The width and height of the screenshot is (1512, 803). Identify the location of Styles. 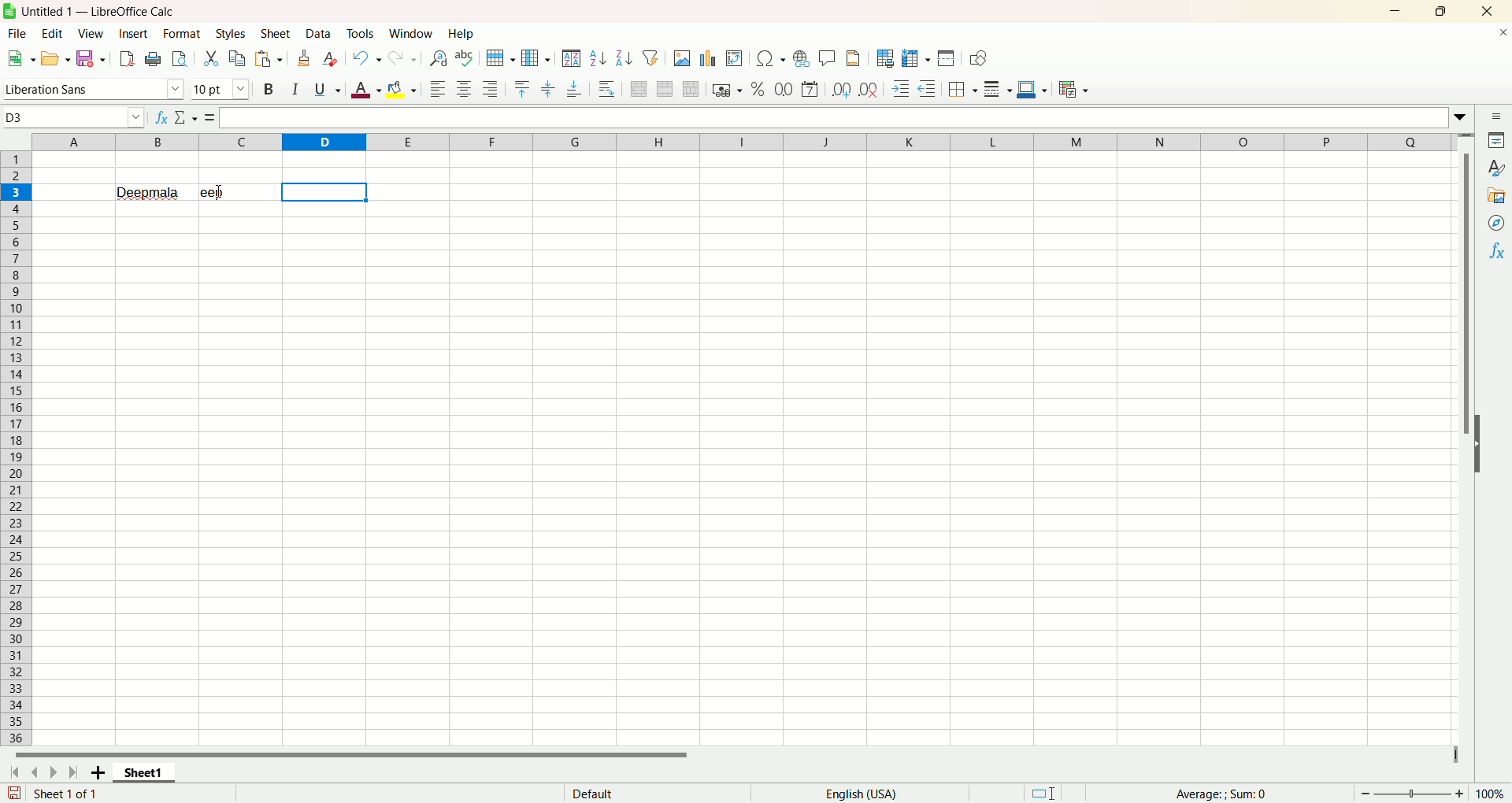
(231, 34).